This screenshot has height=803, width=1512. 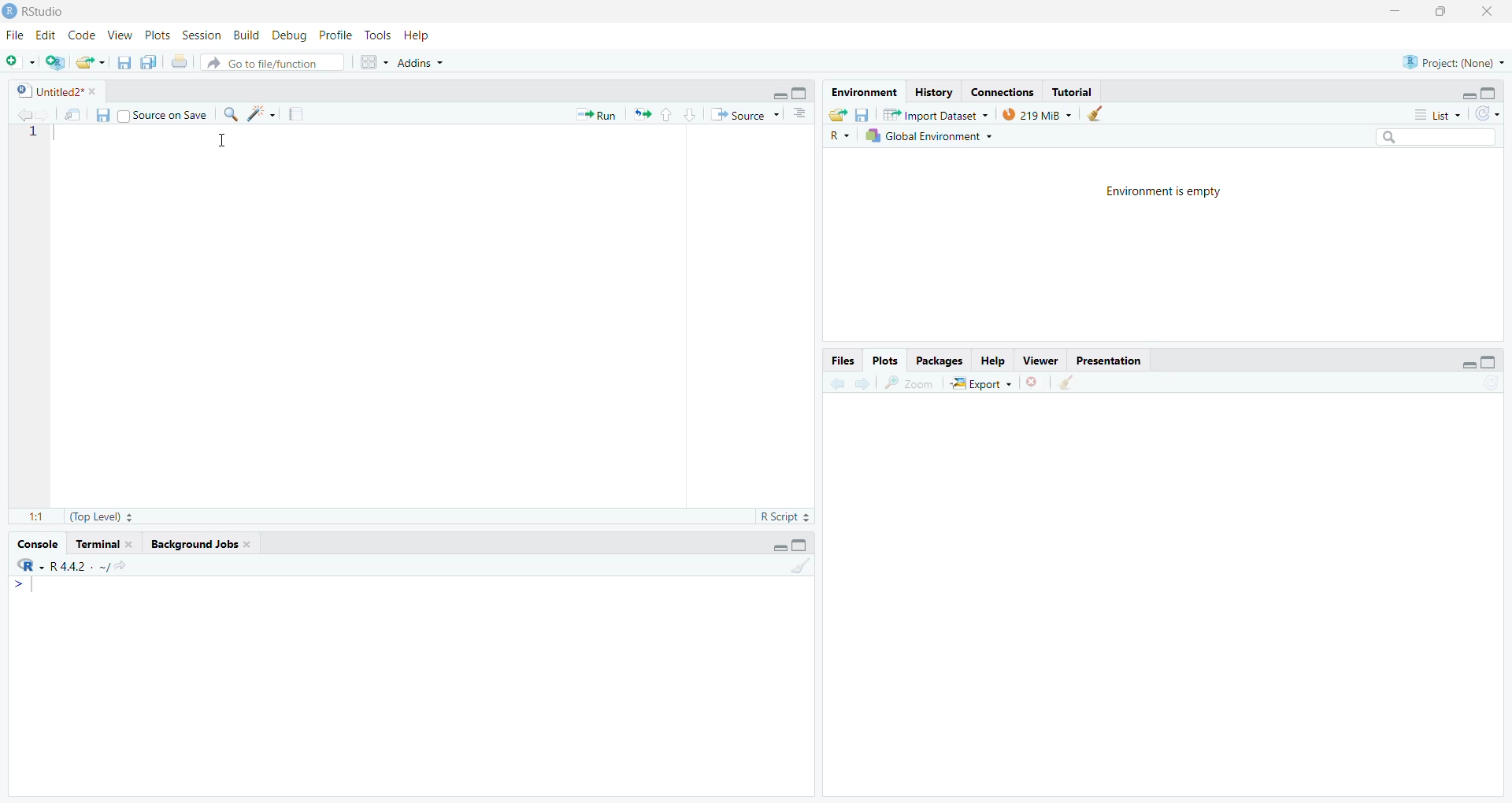 I want to click on Full Height, so click(x=1489, y=92).